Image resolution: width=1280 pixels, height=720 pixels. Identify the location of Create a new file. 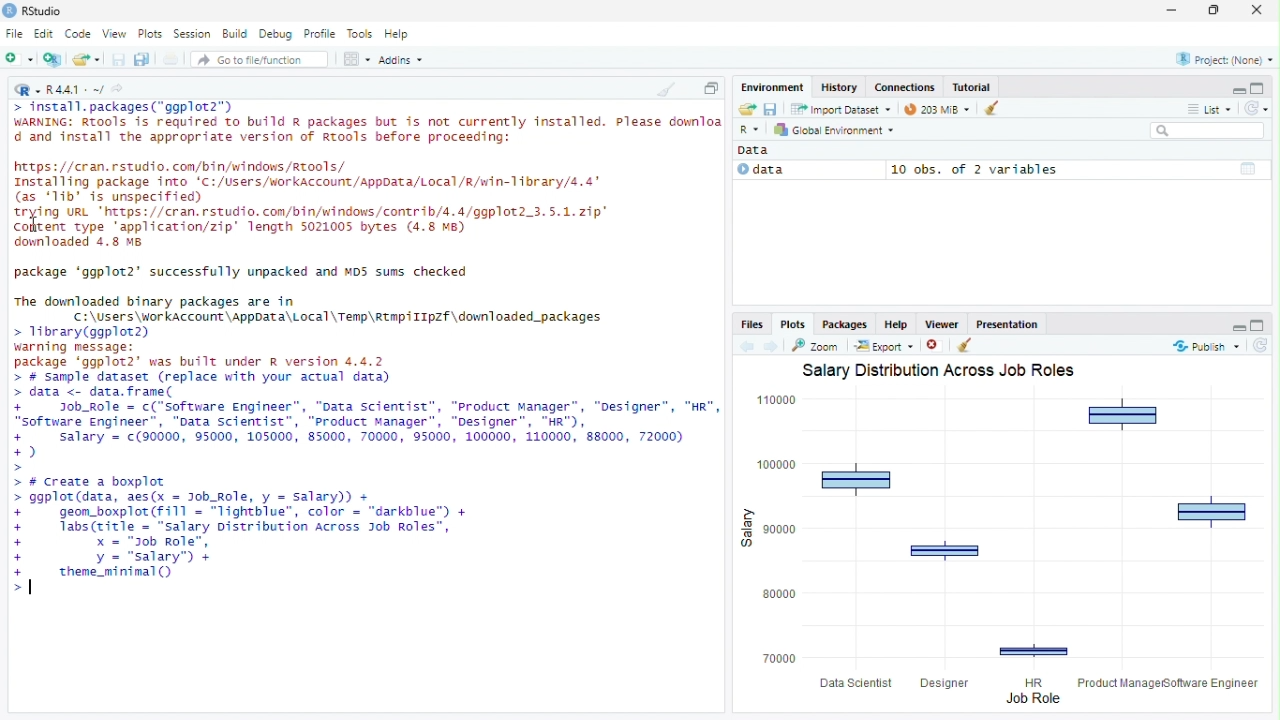
(20, 59).